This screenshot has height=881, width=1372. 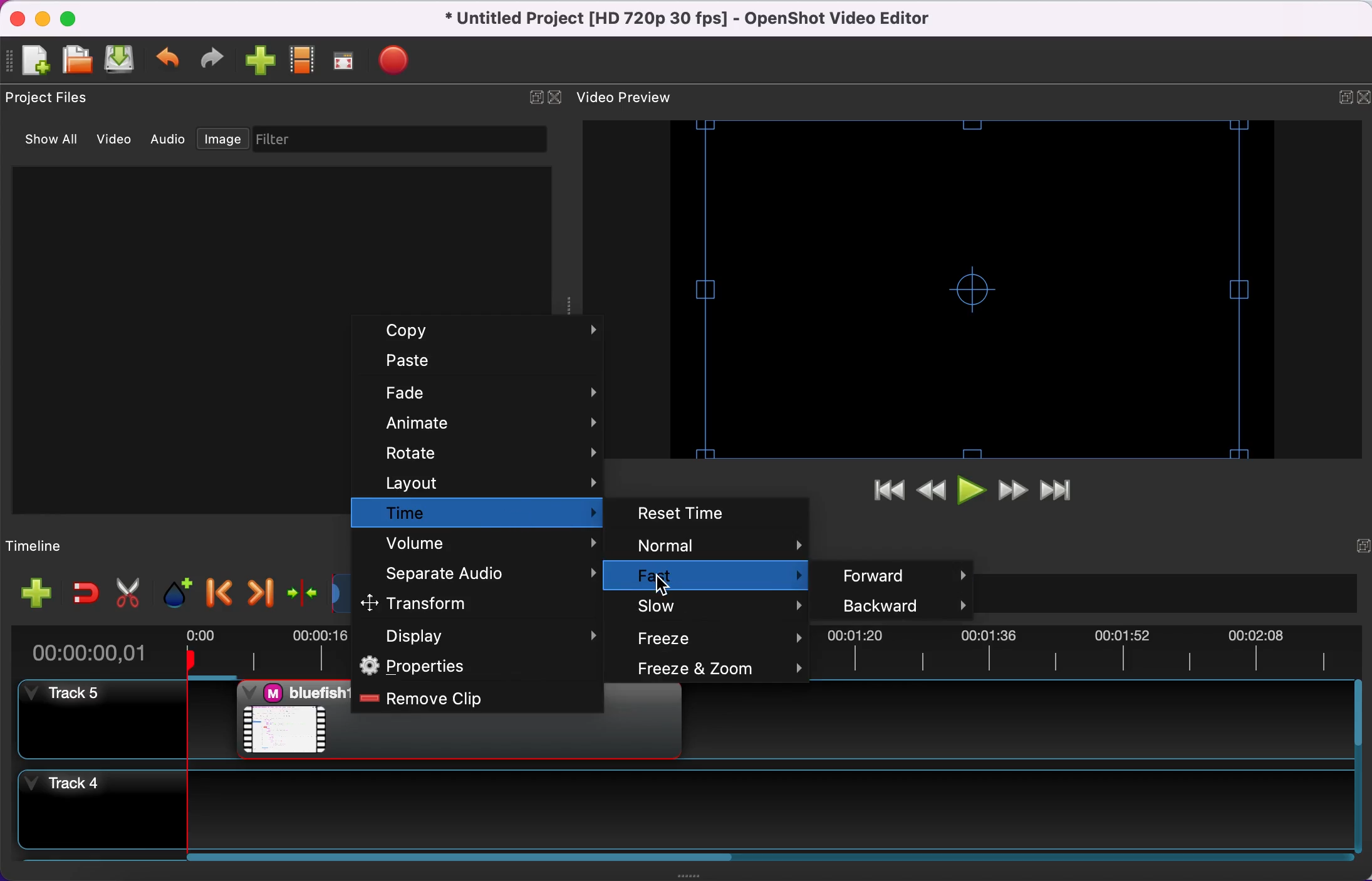 I want to click on separate audio, so click(x=484, y=575).